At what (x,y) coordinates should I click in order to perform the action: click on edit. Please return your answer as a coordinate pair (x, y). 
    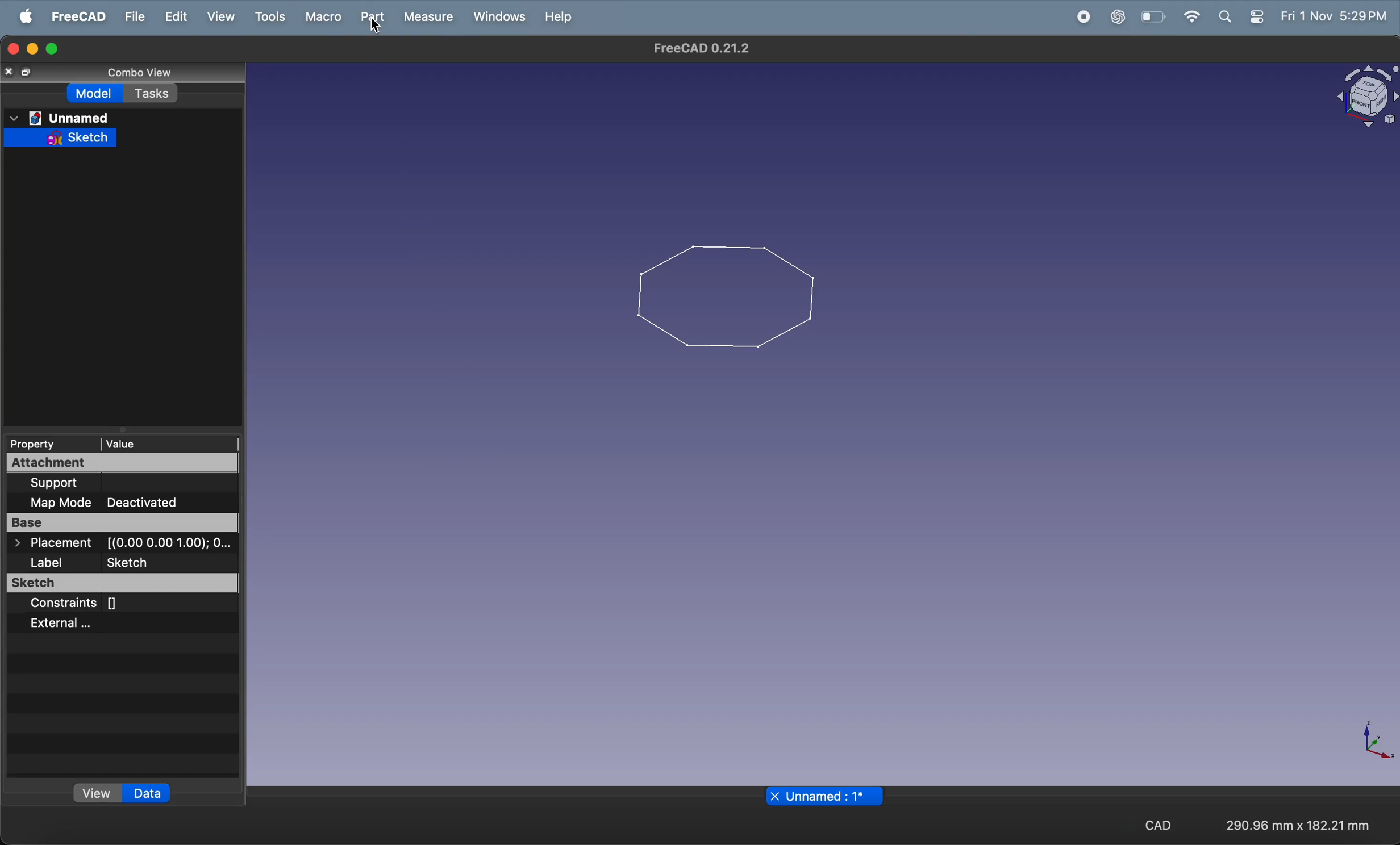
    Looking at the image, I should click on (174, 16).